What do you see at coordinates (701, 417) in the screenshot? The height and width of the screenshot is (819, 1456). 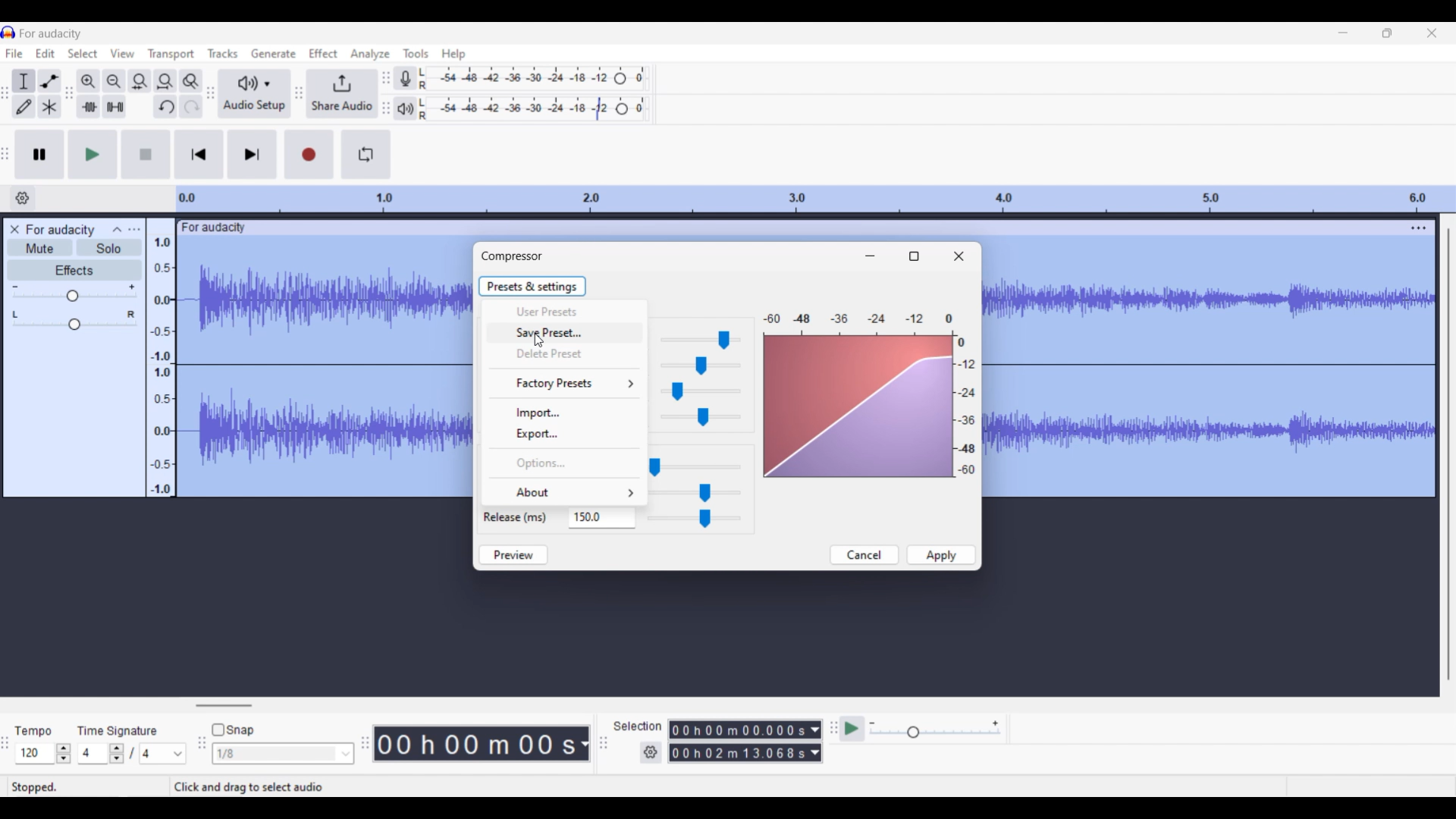 I see `Ratio slider` at bounding box center [701, 417].